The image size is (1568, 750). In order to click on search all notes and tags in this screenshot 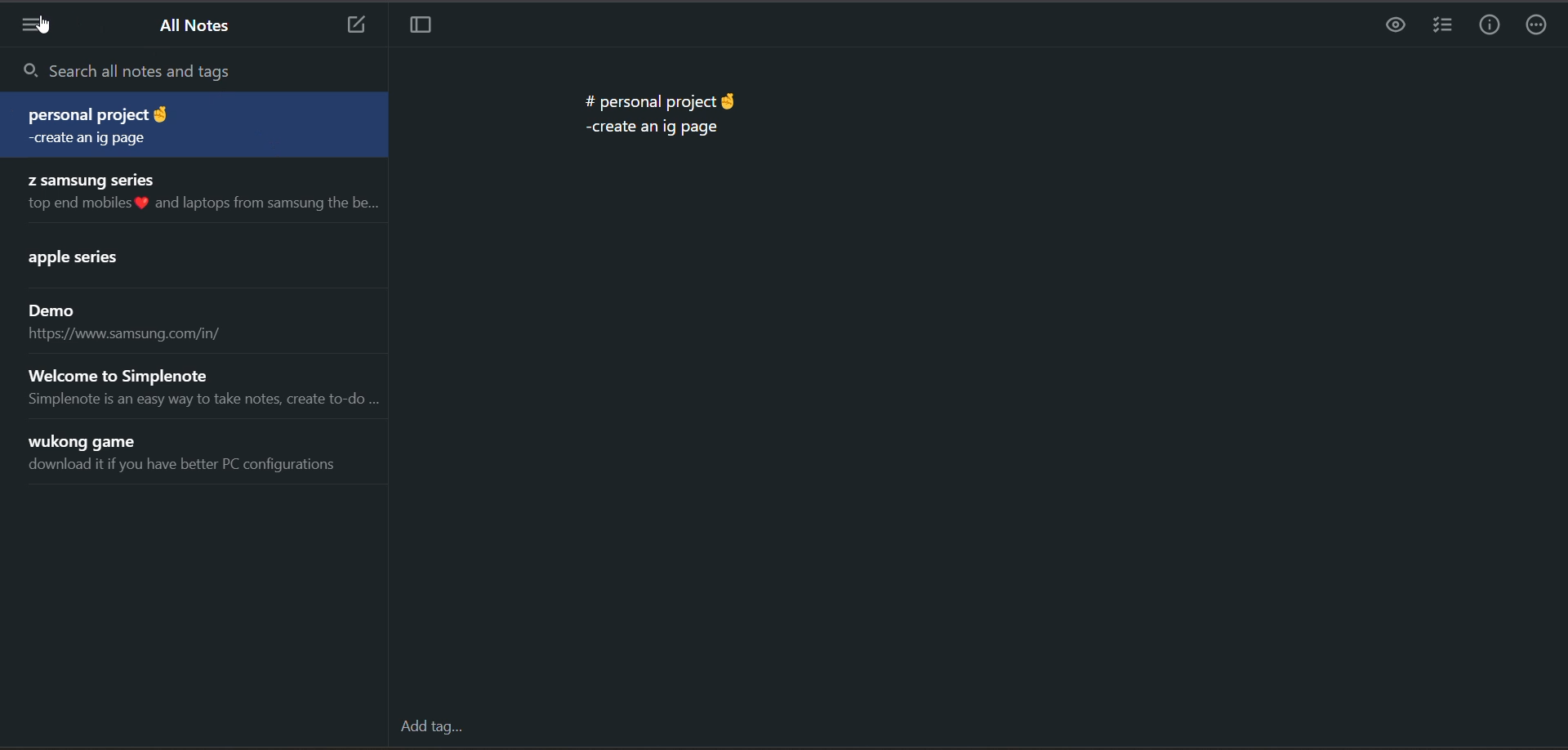, I will do `click(202, 74)`.